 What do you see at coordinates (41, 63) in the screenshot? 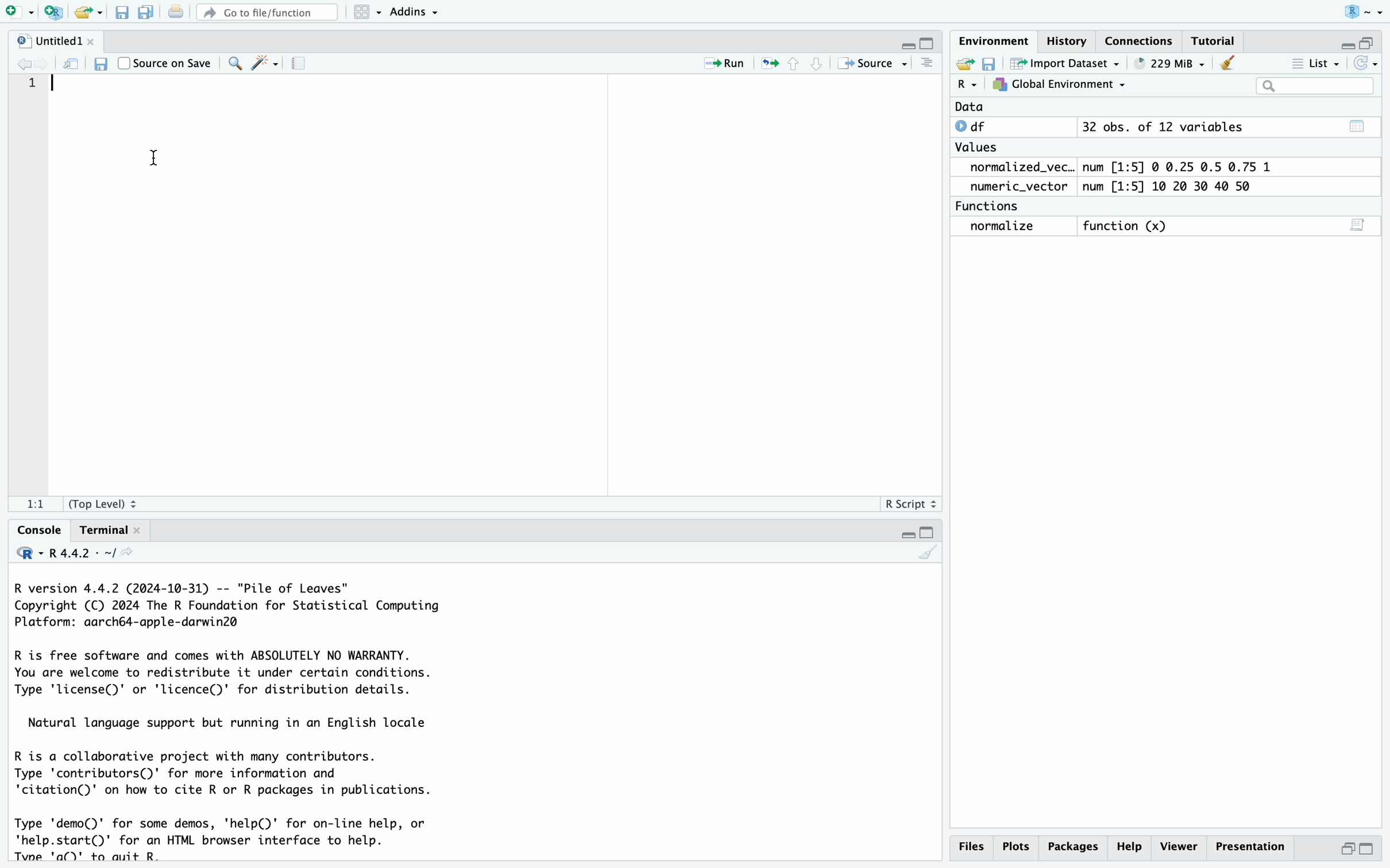
I see `go forward` at bounding box center [41, 63].